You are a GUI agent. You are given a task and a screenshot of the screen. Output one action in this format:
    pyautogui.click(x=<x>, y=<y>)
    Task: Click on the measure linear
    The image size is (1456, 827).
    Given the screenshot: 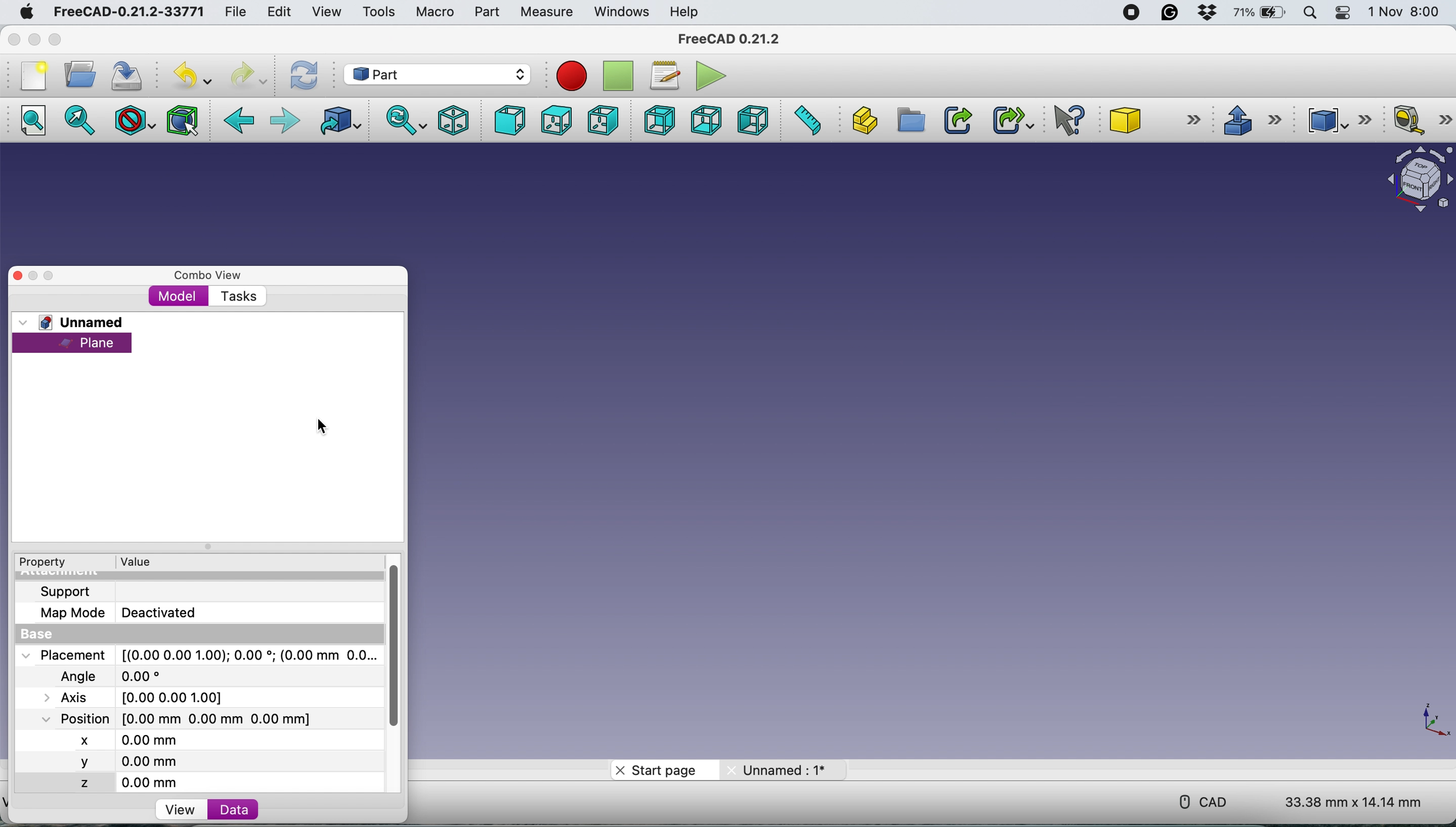 What is the action you would take?
    pyautogui.click(x=1421, y=119)
    